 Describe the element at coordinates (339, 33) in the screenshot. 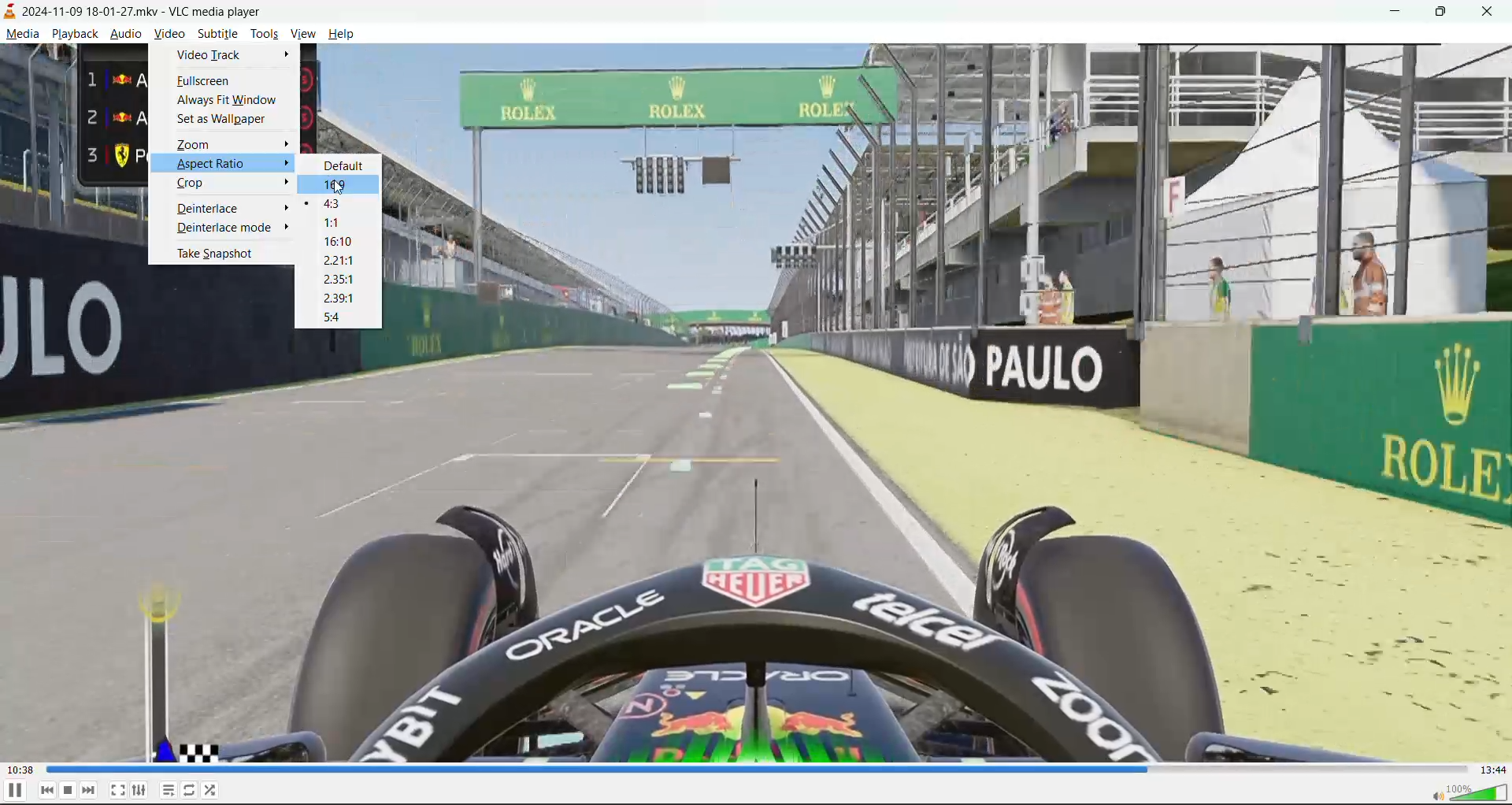

I see `help` at that location.